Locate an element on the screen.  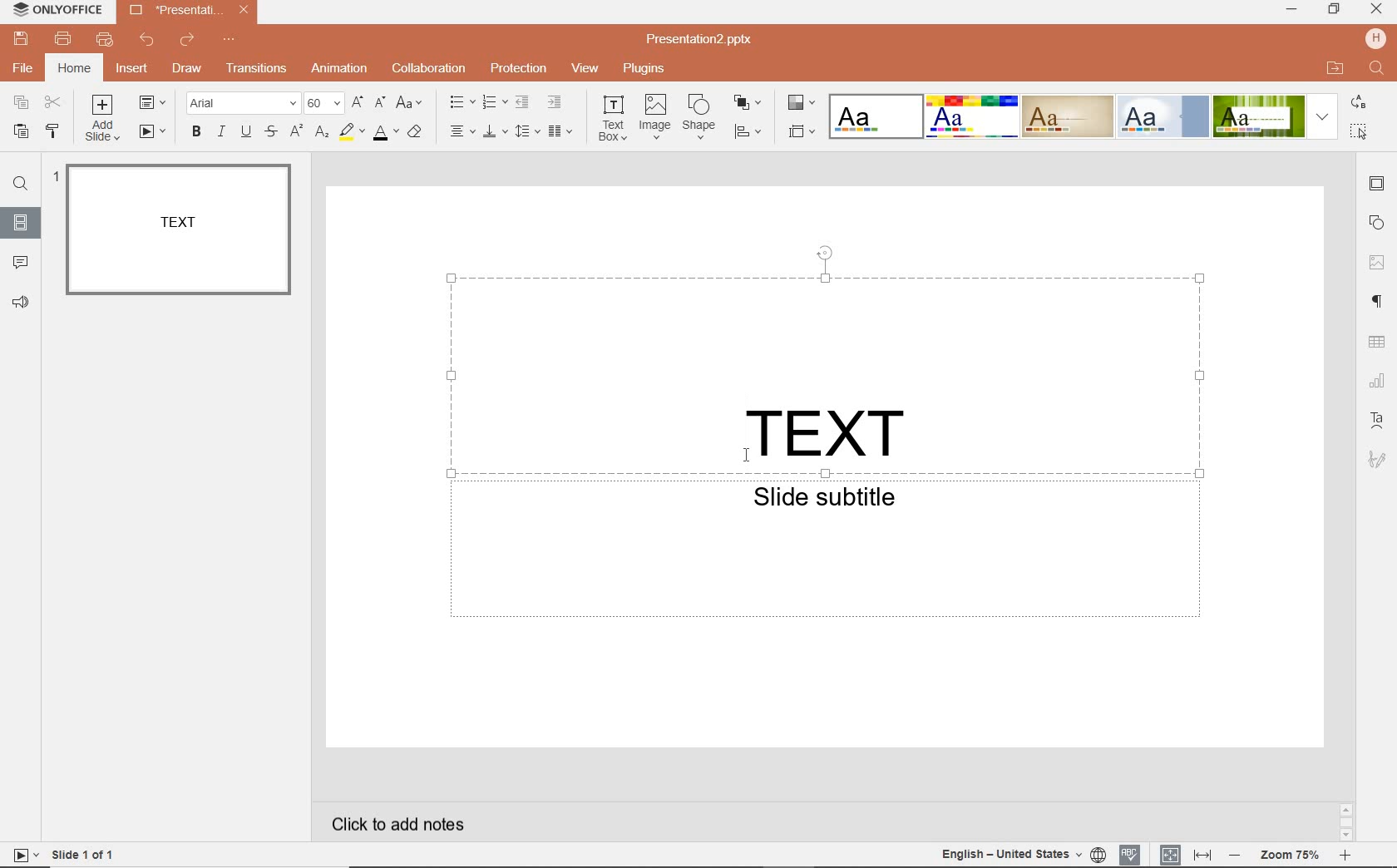
ITALIC is located at coordinates (221, 132).